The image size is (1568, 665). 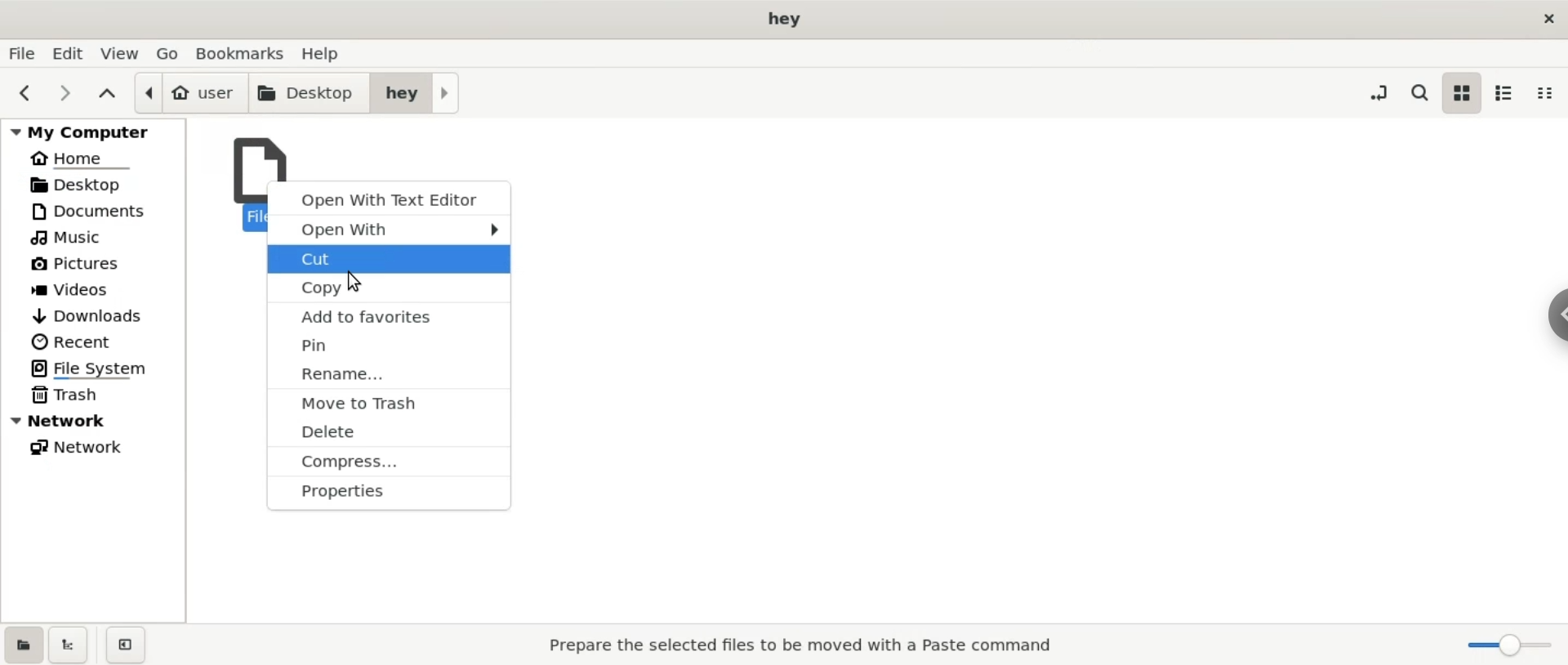 I want to click on delete, so click(x=390, y=431).